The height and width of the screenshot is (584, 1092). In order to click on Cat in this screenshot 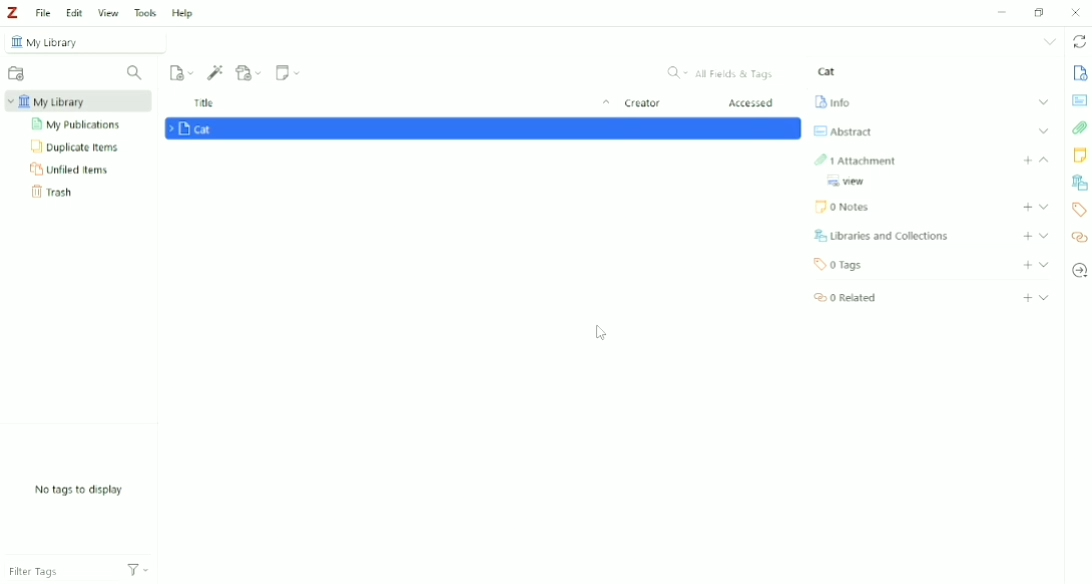, I will do `click(827, 71)`.